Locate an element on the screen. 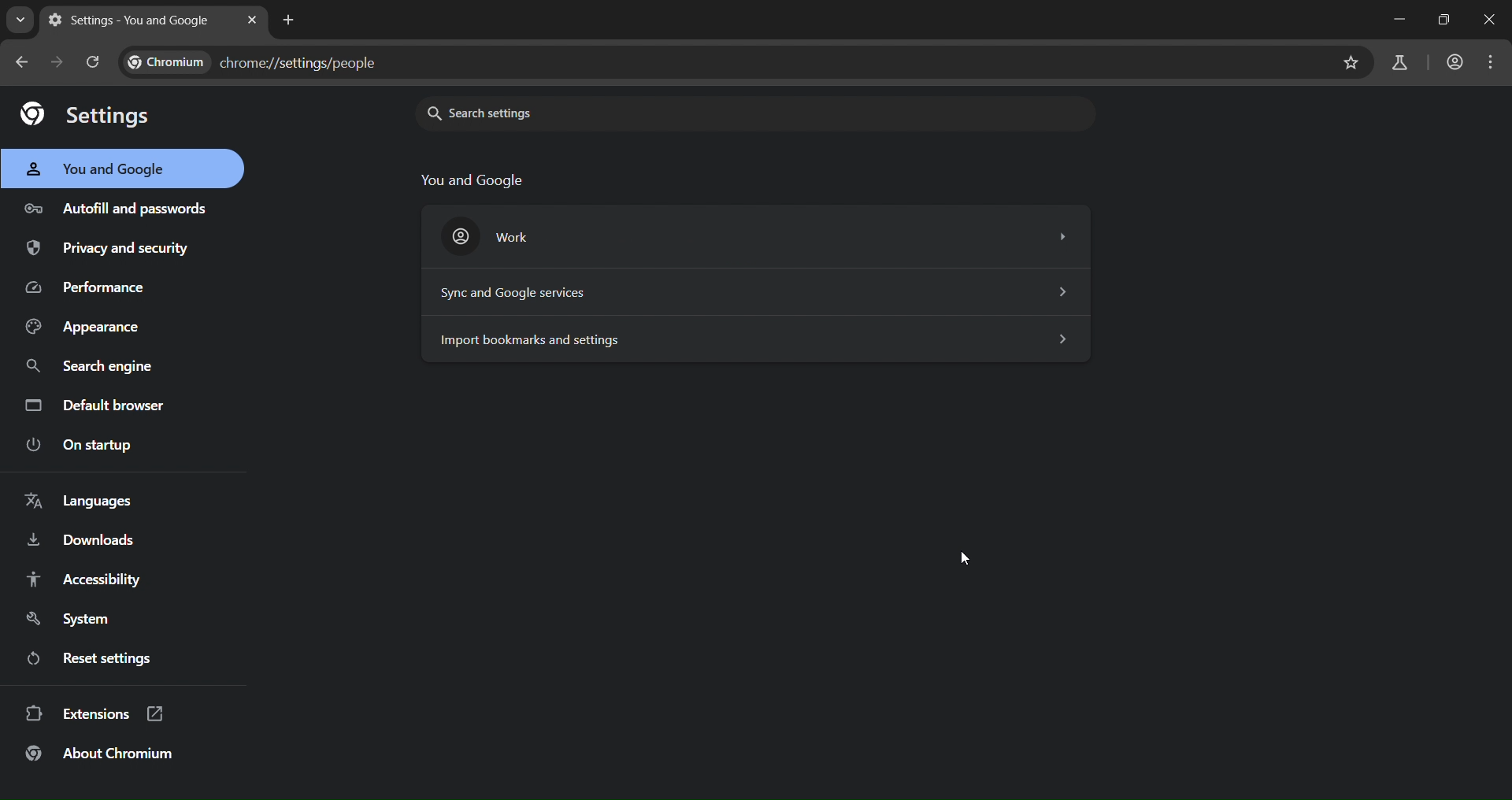 The height and width of the screenshot is (800, 1512). default browser is located at coordinates (102, 405).